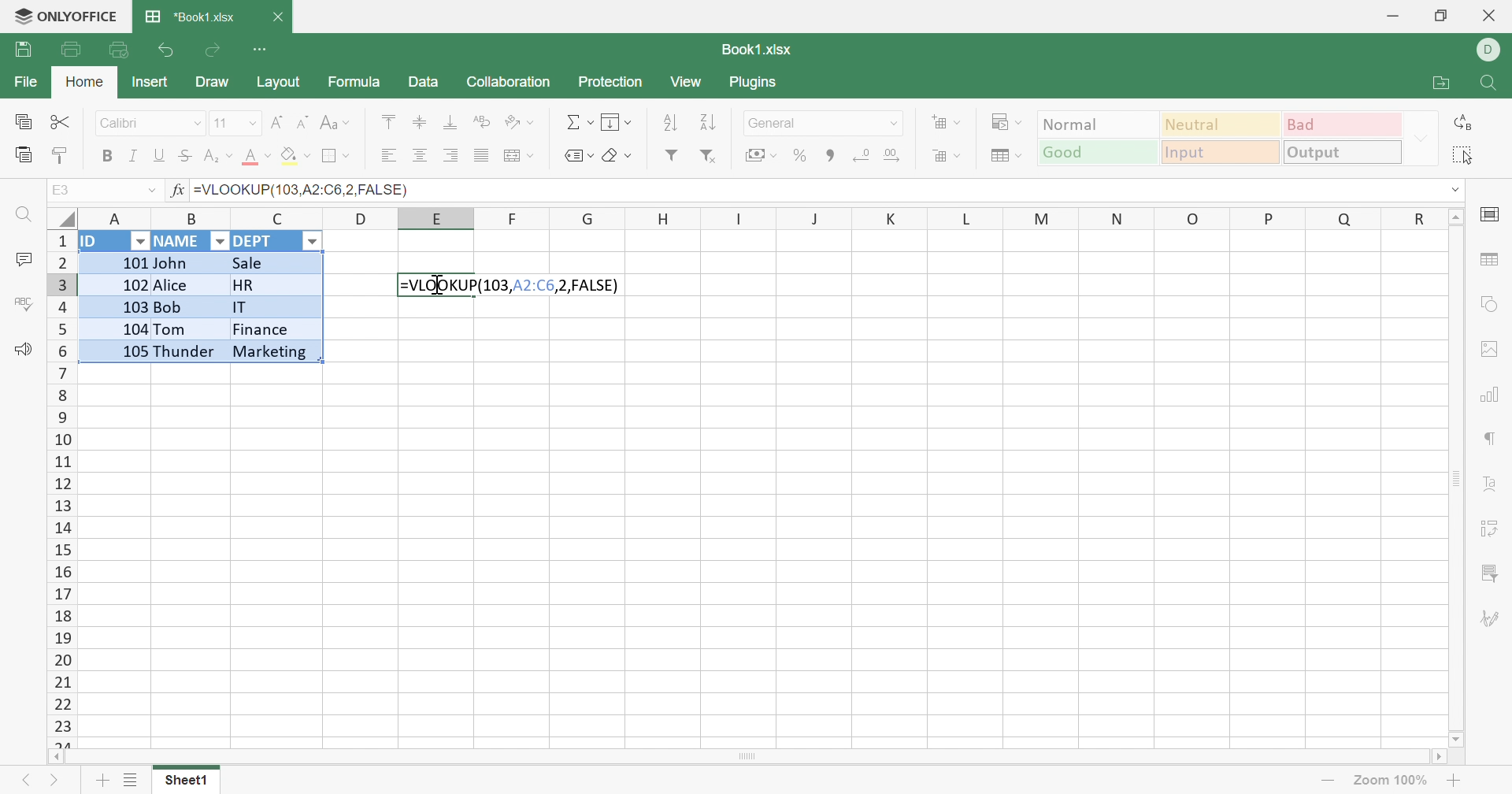  Describe the element at coordinates (1391, 17) in the screenshot. I see `Minimize` at that location.